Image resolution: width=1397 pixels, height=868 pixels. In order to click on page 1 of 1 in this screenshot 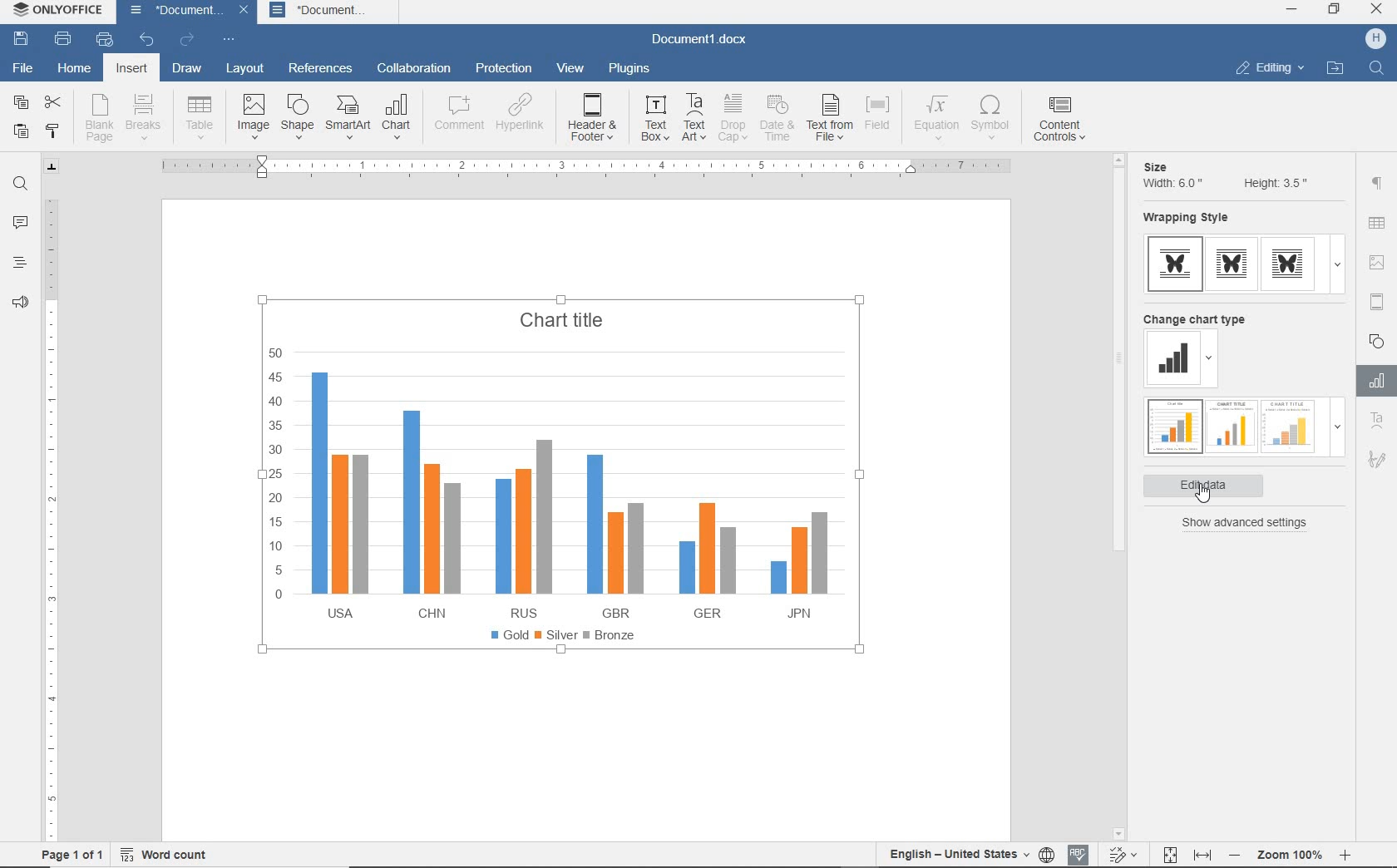, I will do `click(73, 854)`.